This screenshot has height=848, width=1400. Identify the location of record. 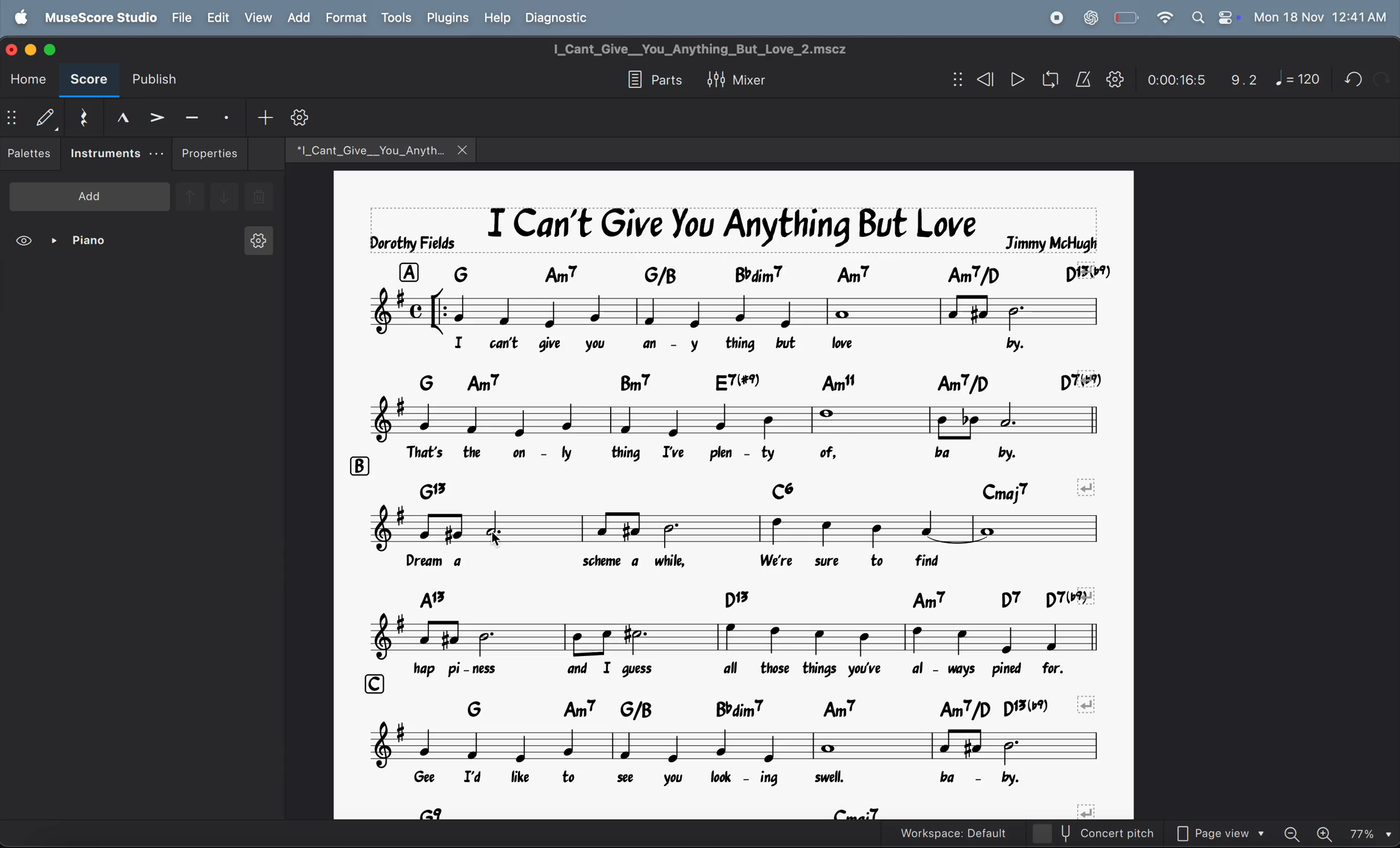
(1054, 16).